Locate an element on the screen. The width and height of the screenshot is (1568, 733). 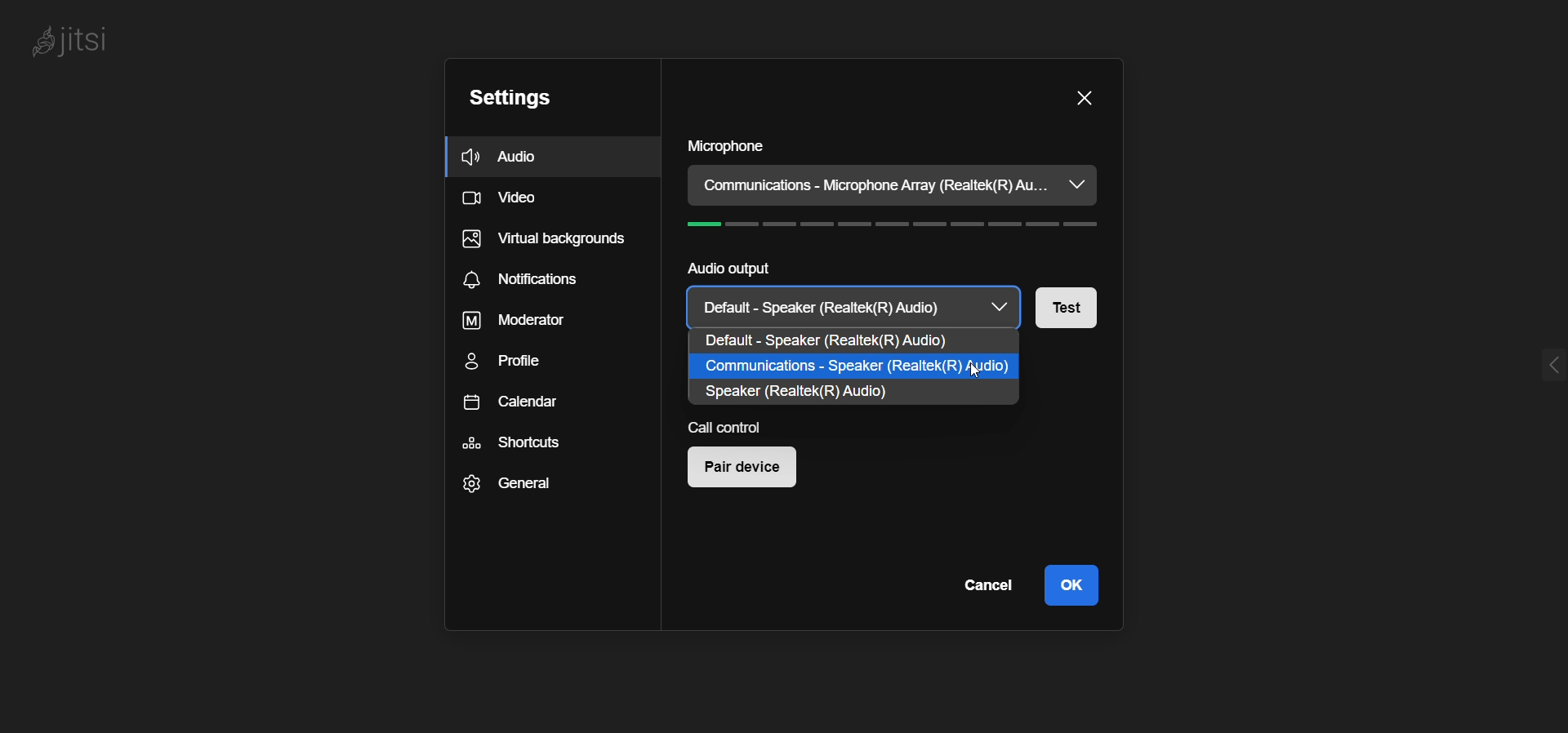
communication speaker is located at coordinates (853, 367).